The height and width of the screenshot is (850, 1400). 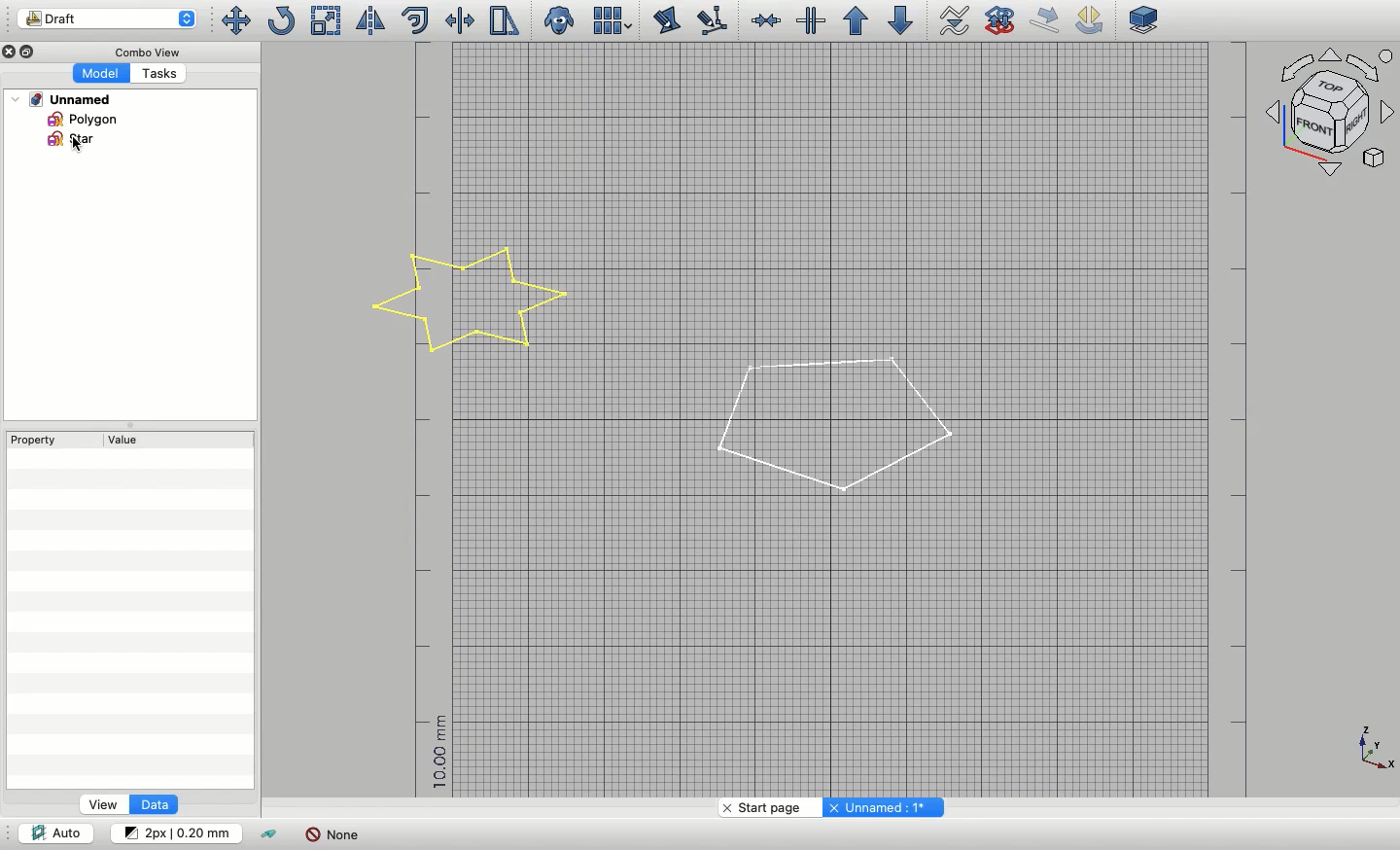 What do you see at coordinates (332, 834) in the screenshot?
I see `None` at bounding box center [332, 834].